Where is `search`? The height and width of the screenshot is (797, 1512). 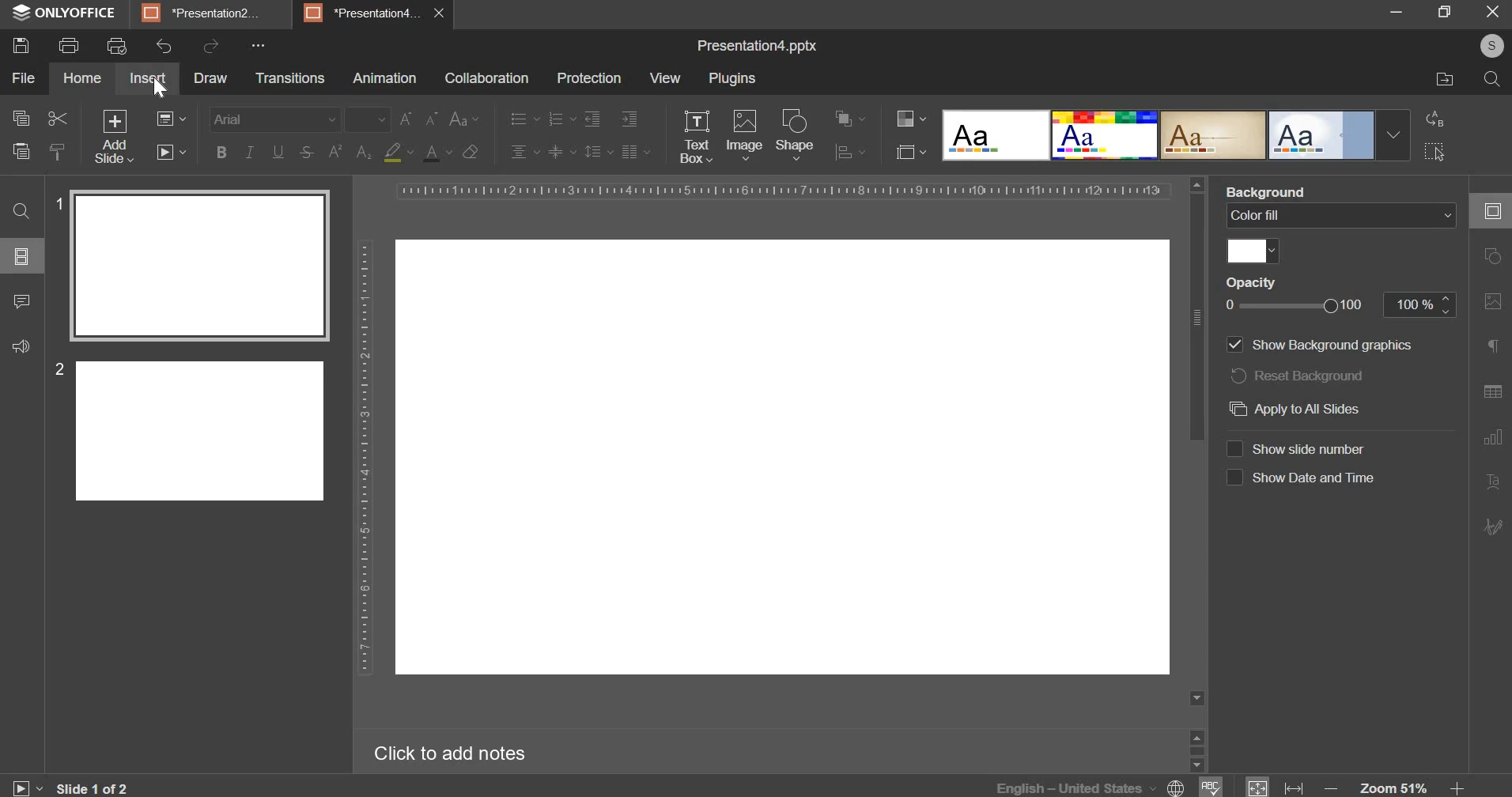 search is located at coordinates (1495, 81).